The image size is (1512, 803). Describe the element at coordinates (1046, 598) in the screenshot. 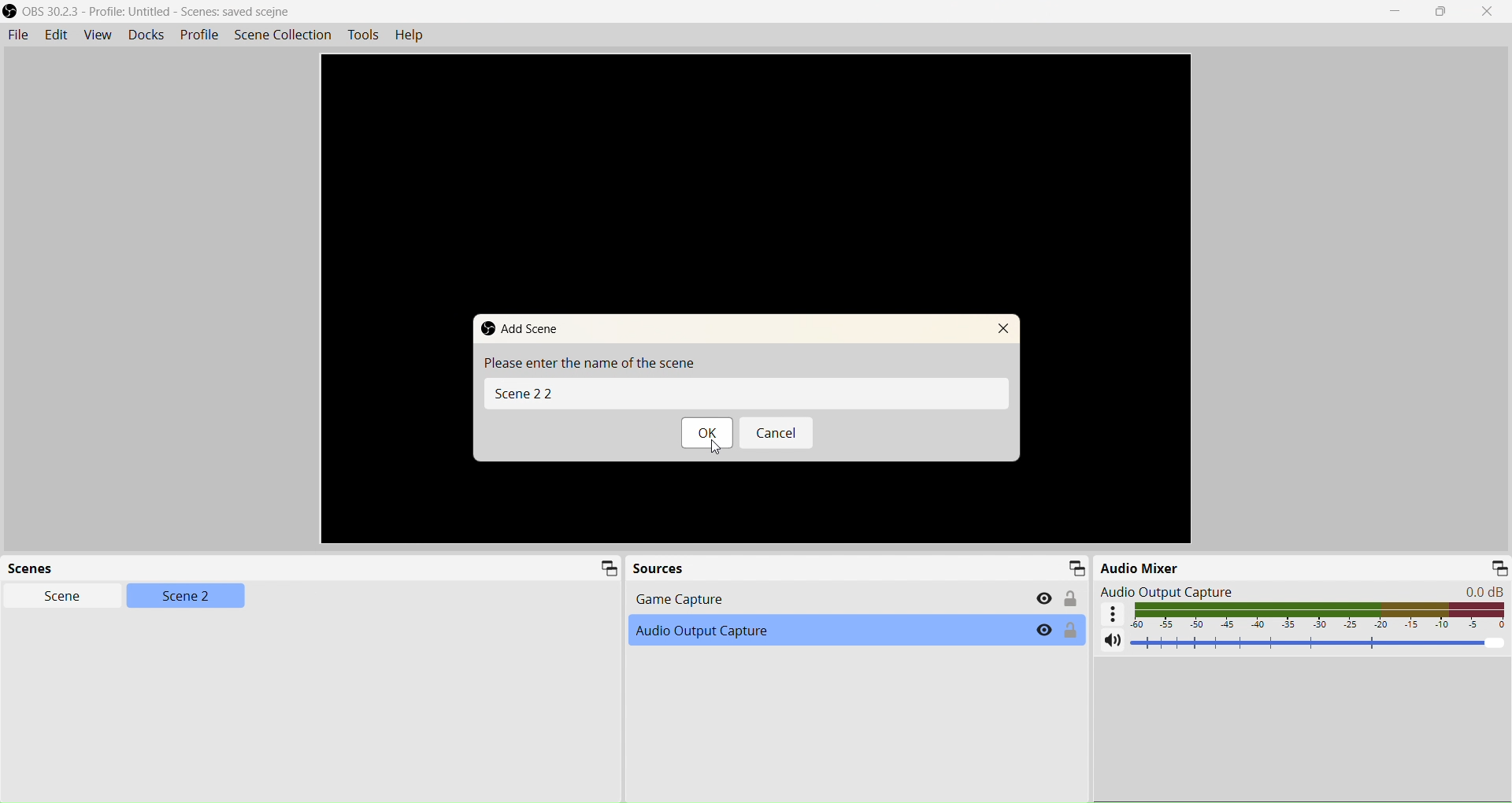

I see `Eye` at that location.